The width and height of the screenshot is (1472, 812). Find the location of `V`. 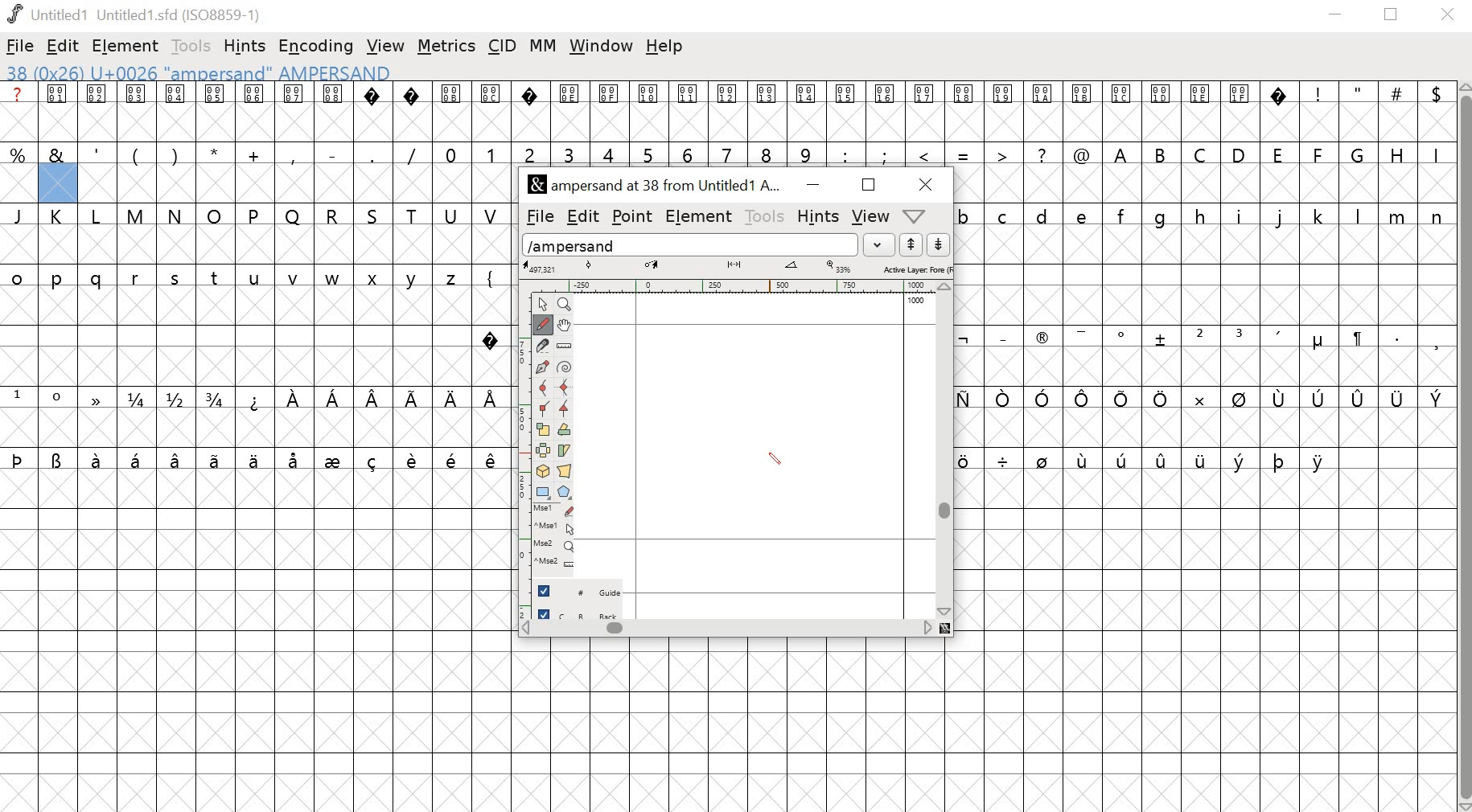

V is located at coordinates (492, 214).